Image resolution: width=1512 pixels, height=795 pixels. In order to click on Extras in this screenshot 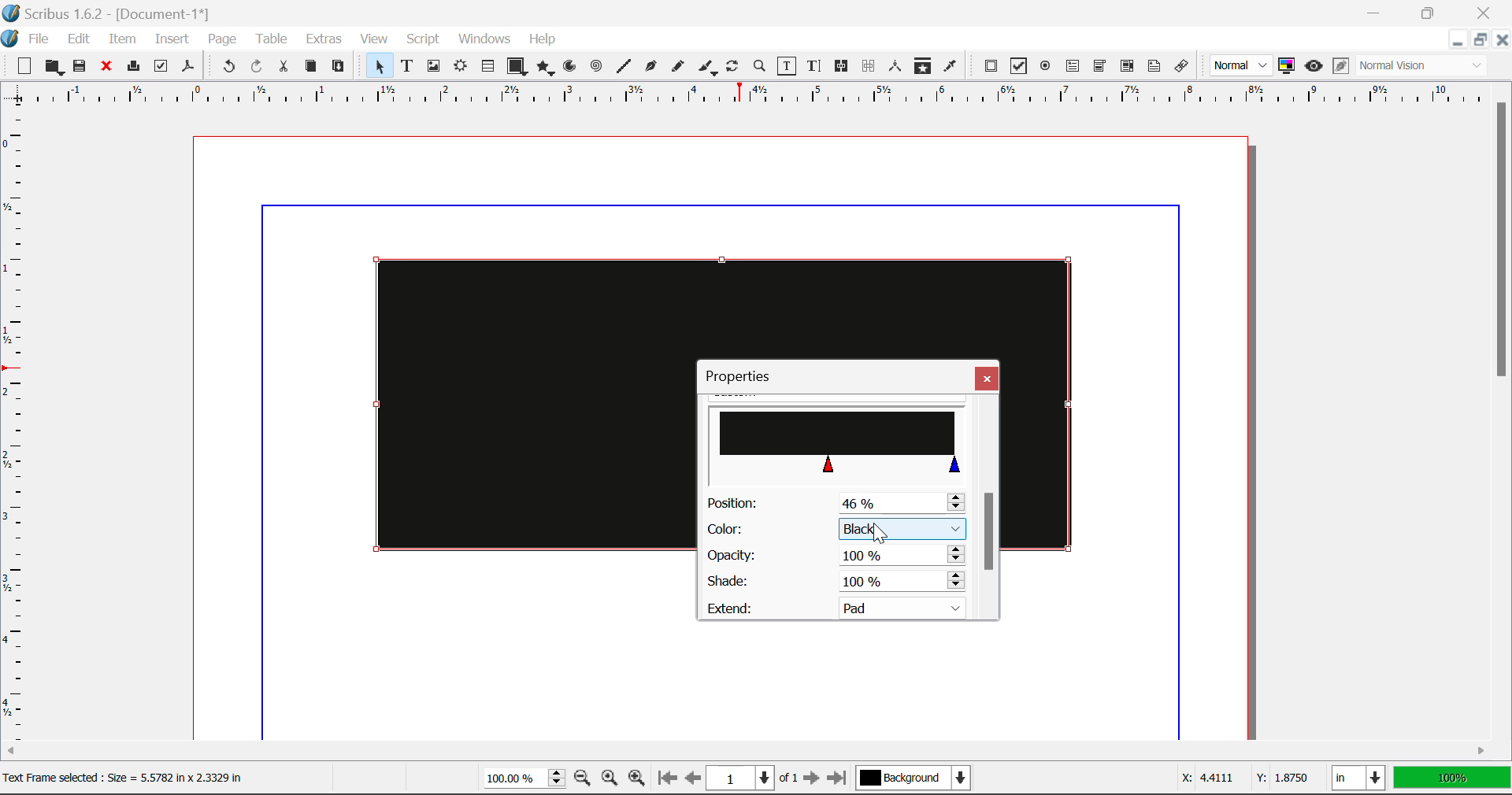, I will do `click(326, 39)`.